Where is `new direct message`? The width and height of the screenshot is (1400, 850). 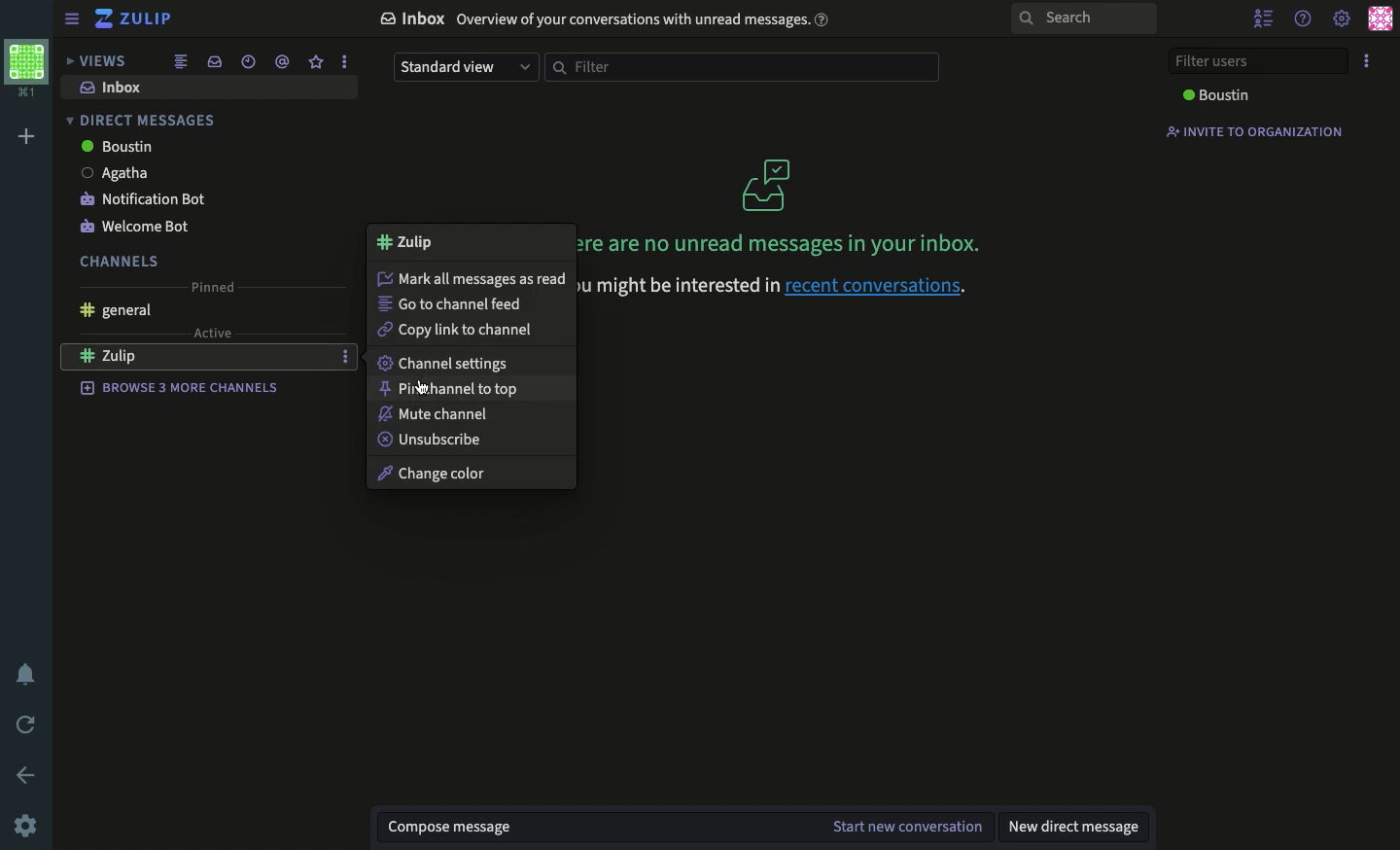 new direct message is located at coordinates (1072, 826).